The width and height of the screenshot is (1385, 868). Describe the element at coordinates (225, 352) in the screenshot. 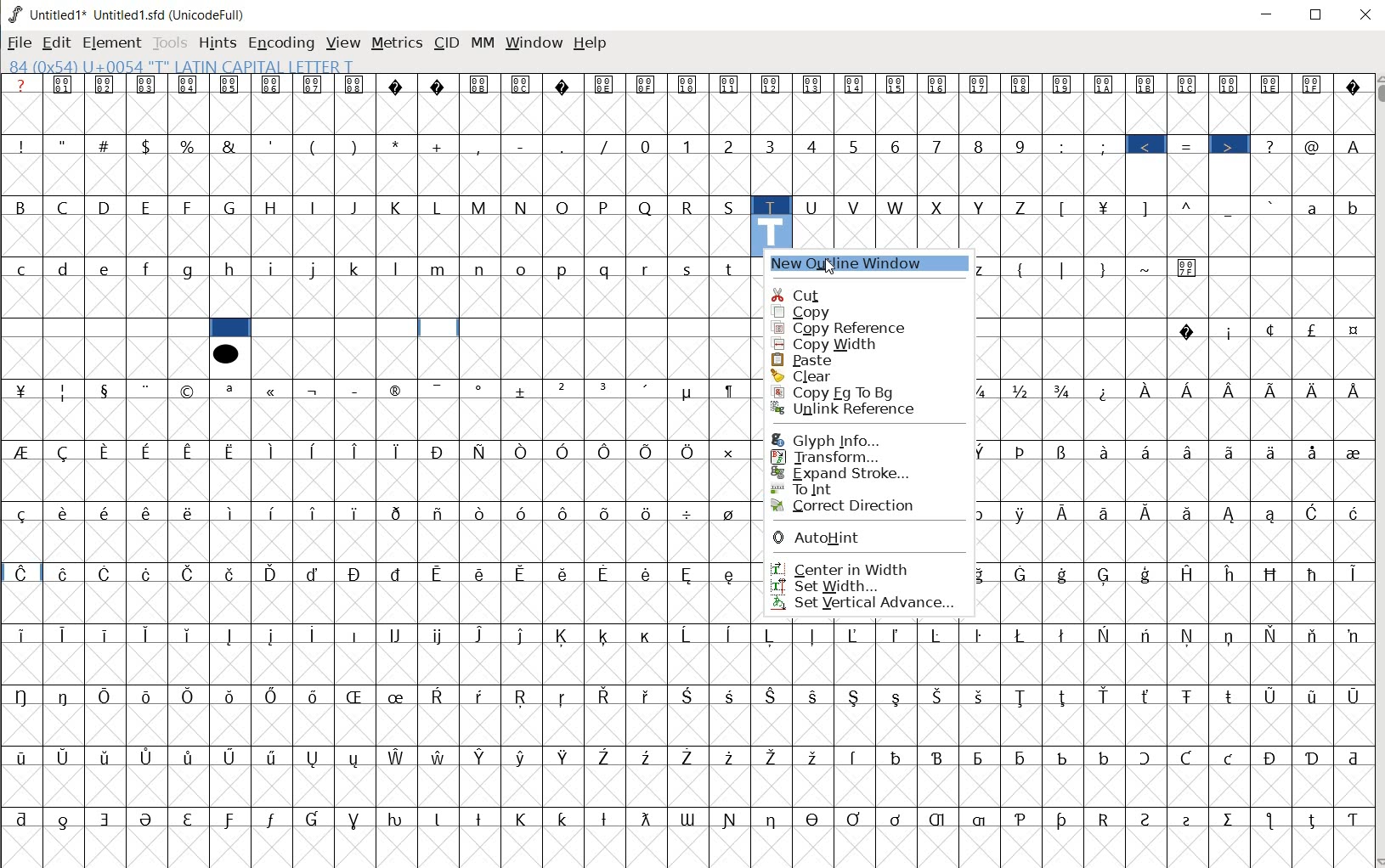

I see `symbol` at that location.